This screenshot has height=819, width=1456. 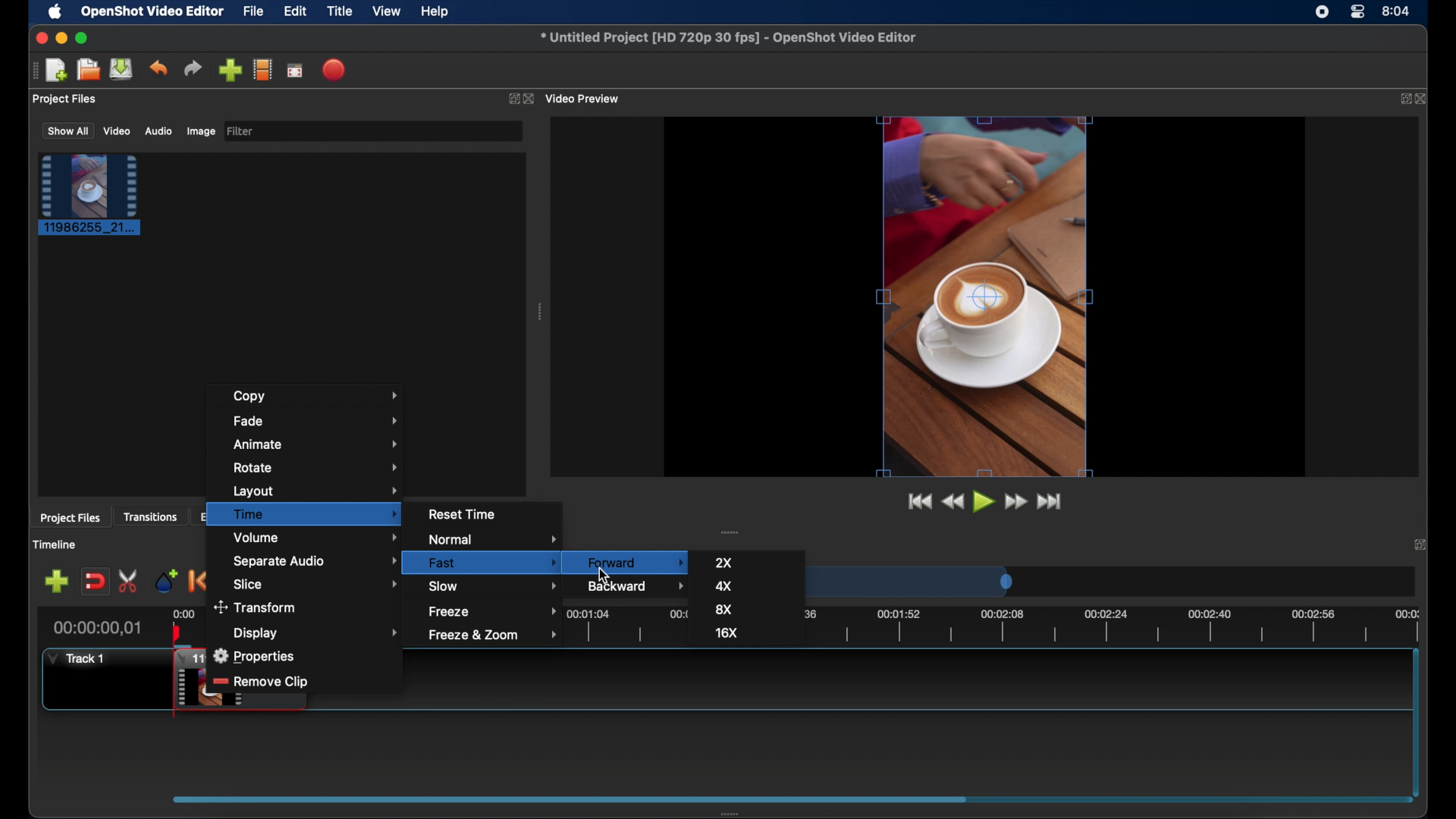 What do you see at coordinates (493, 563) in the screenshot?
I see `fastmenu` at bounding box center [493, 563].